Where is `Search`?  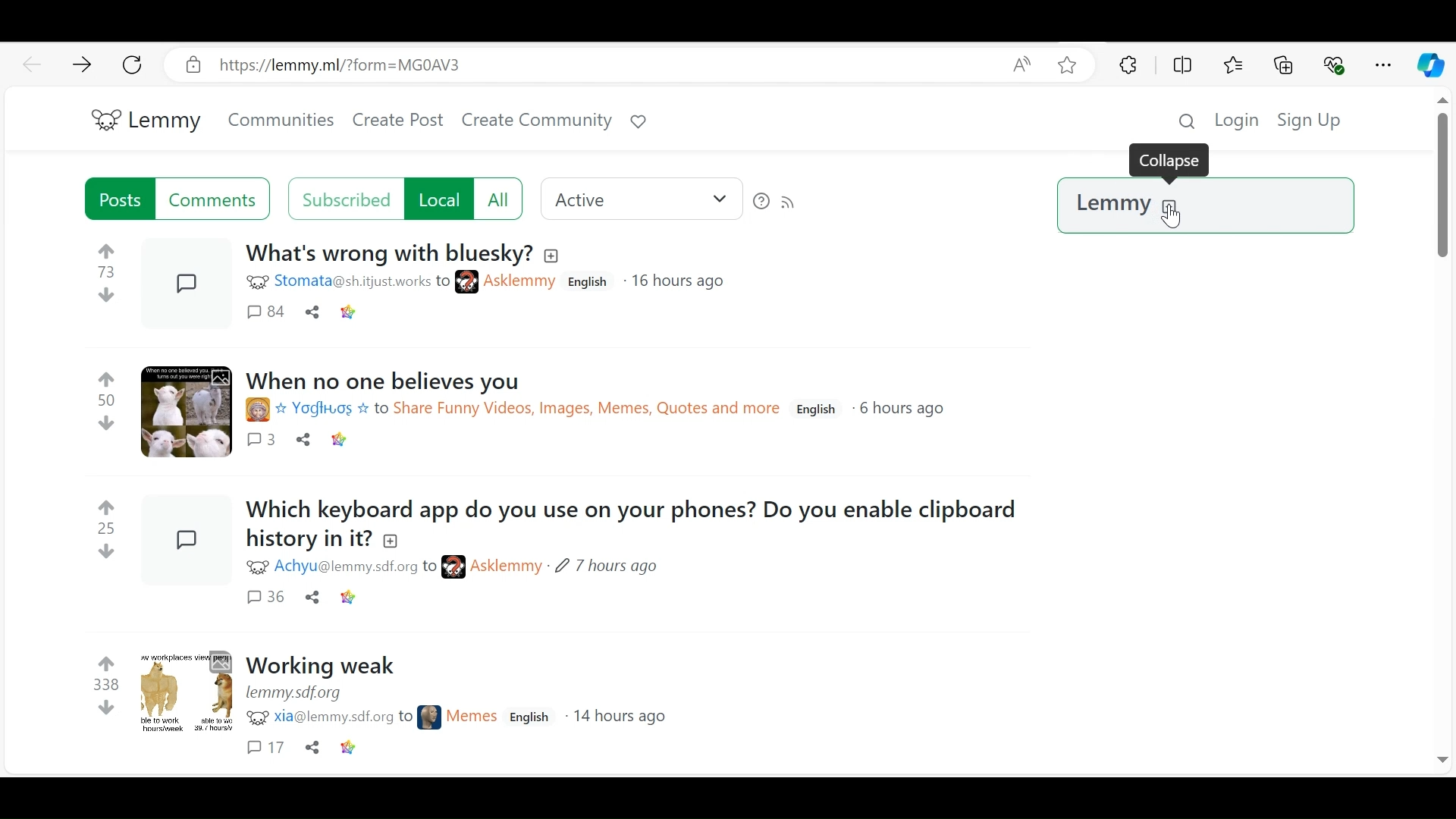
Search is located at coordinates (1184, 119).